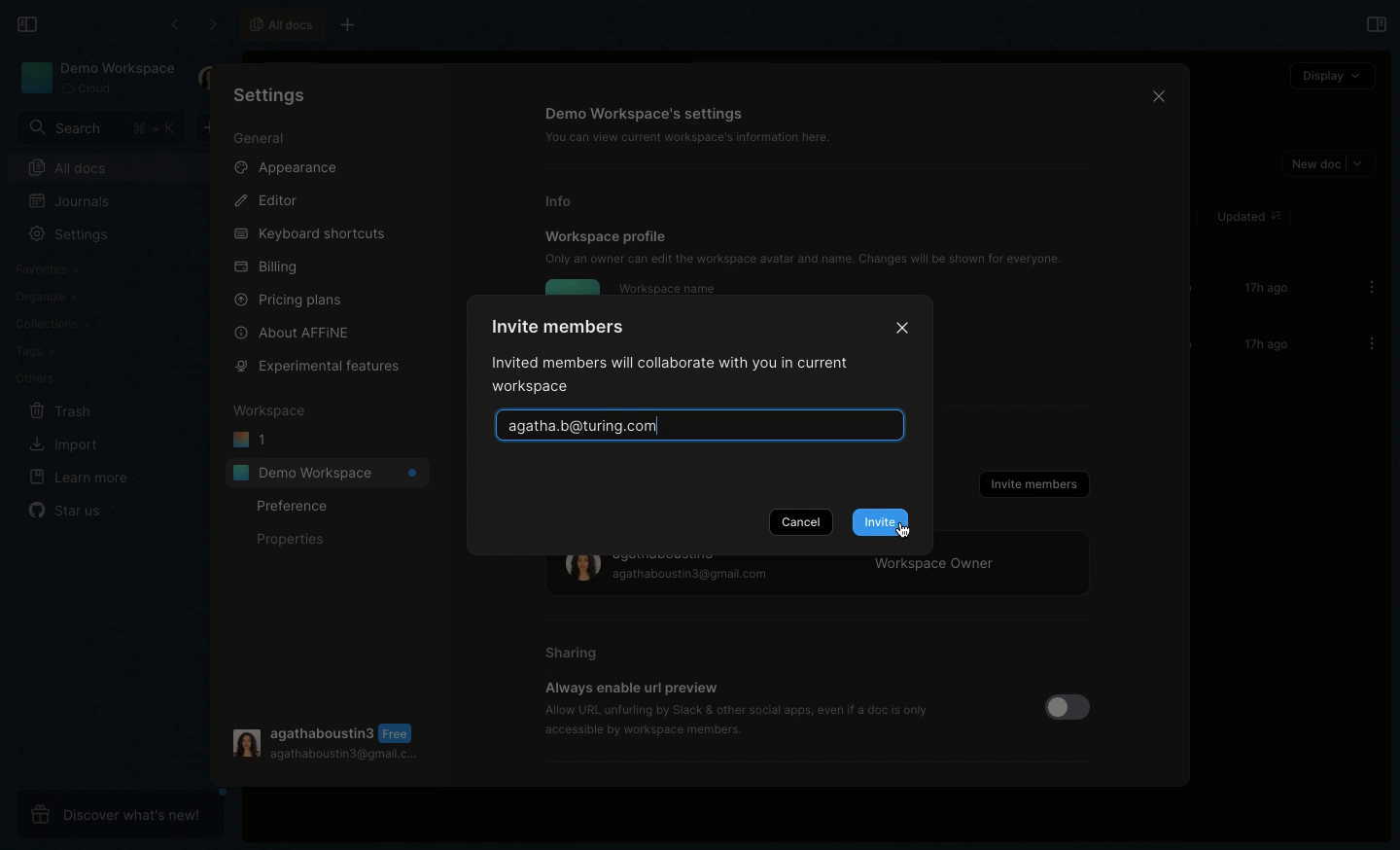 The image size is (1400, 850). Describe the element at coordinates (26, 23) in the screenshot. I see `Collapse sidebar` at that location.